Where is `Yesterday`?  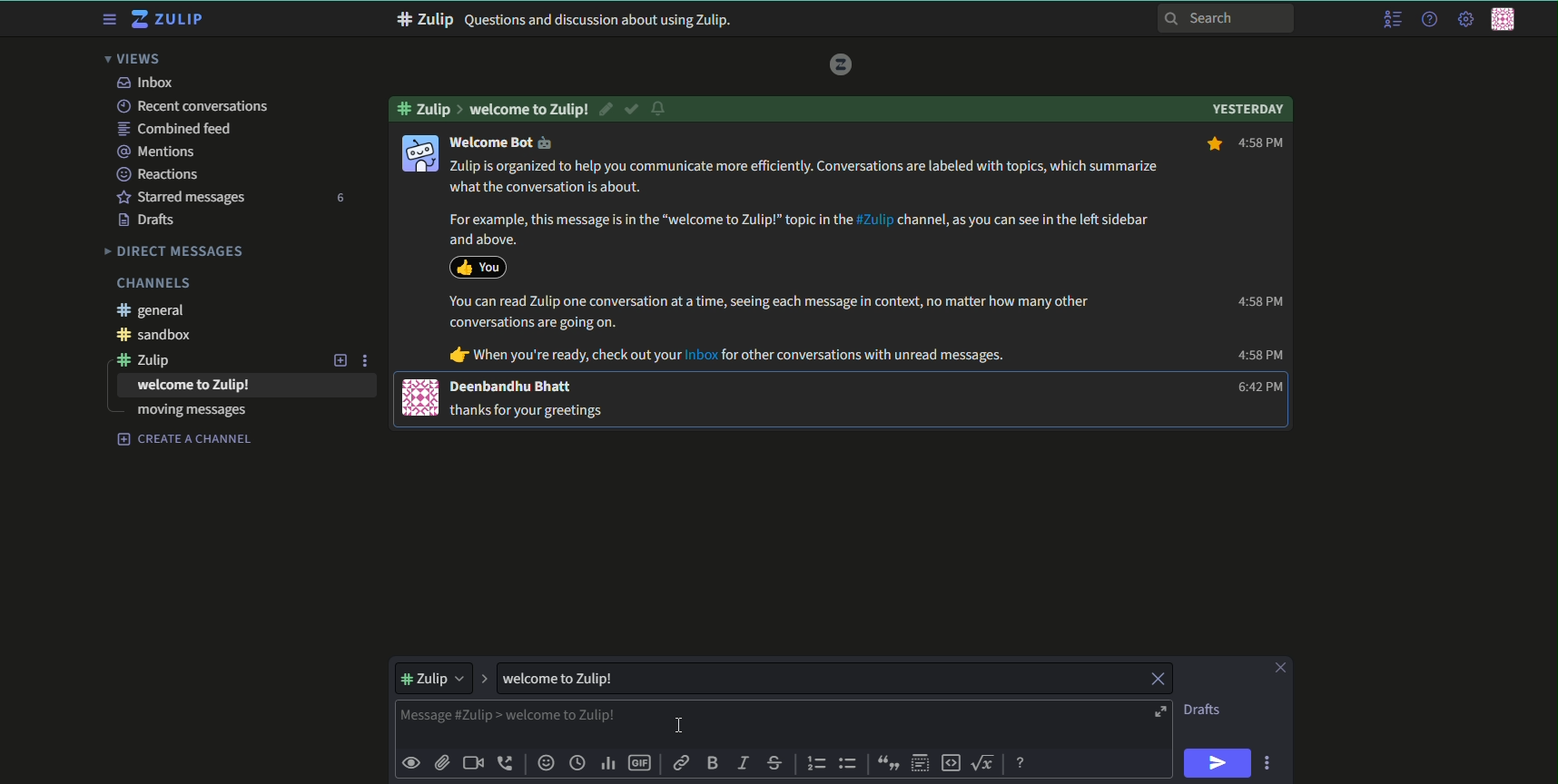
Yesterday is located at coordinates (1247, 107).